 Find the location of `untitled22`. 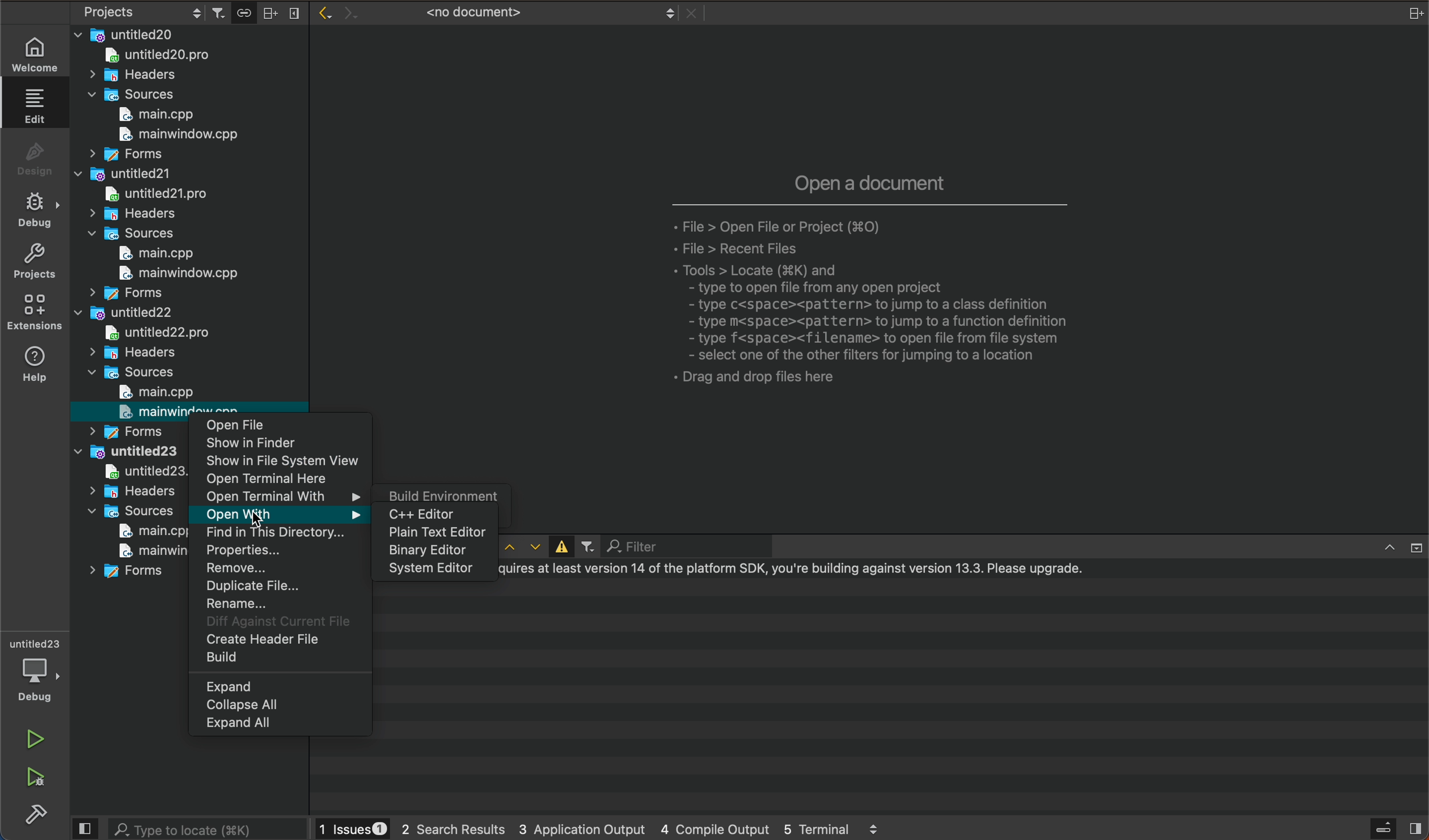

untitled22 is located at coordinates (127, 315).